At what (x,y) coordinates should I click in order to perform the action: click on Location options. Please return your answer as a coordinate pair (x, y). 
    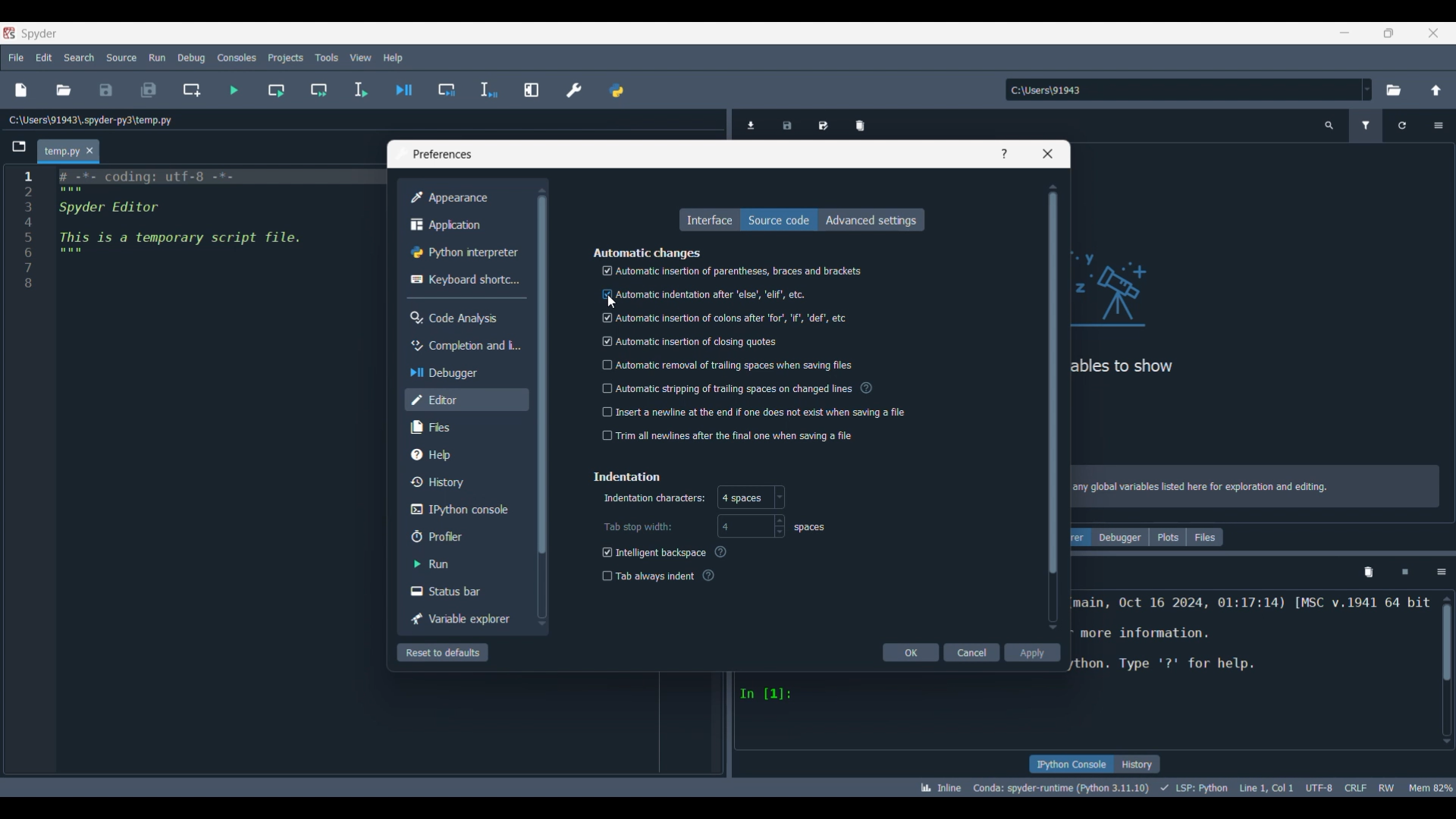
    Looking at the image, I should click on (1367, 89).